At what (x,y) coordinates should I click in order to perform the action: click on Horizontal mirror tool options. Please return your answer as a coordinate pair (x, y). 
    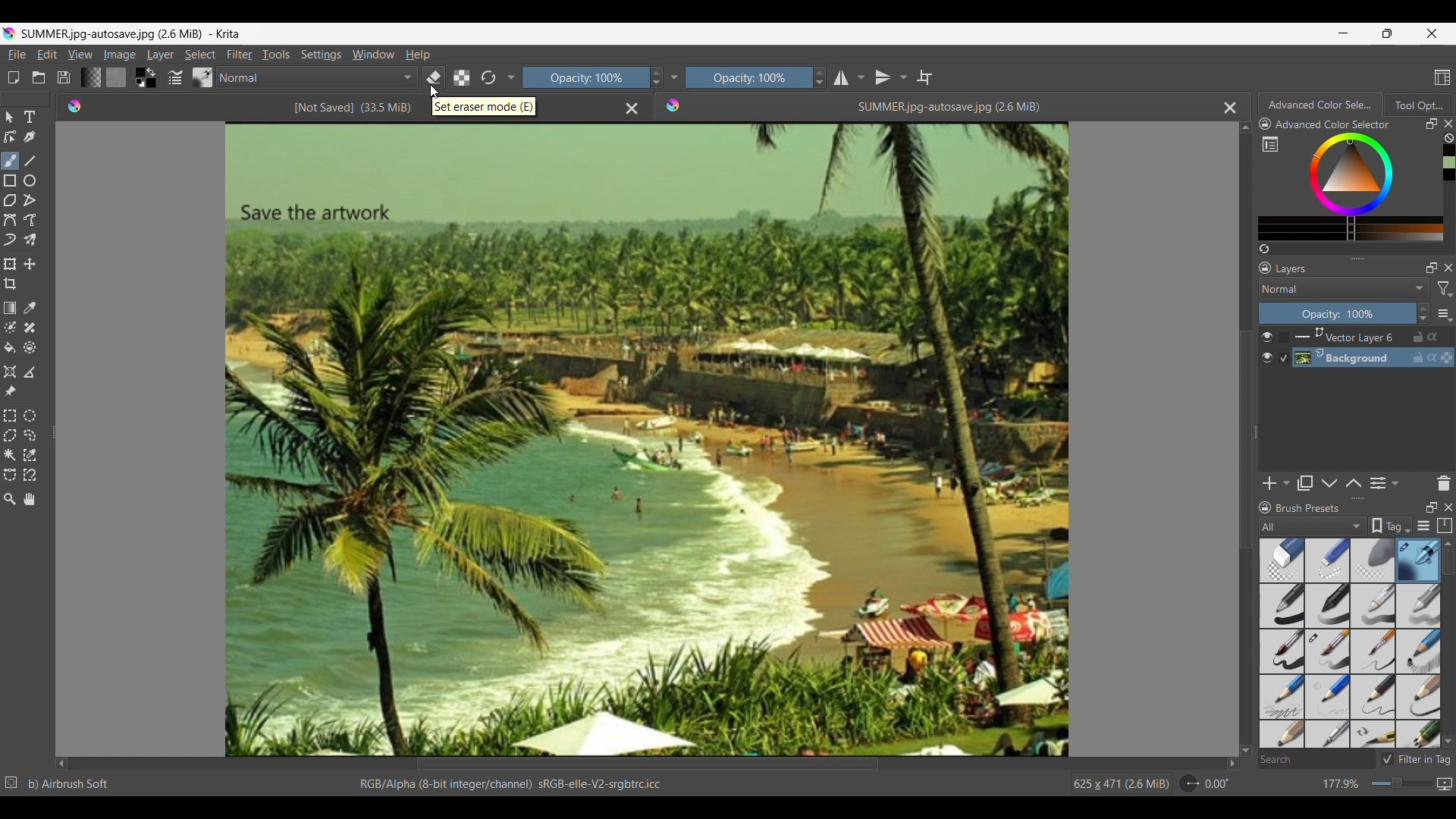
    Looking at the image, I should click on (849, 79).